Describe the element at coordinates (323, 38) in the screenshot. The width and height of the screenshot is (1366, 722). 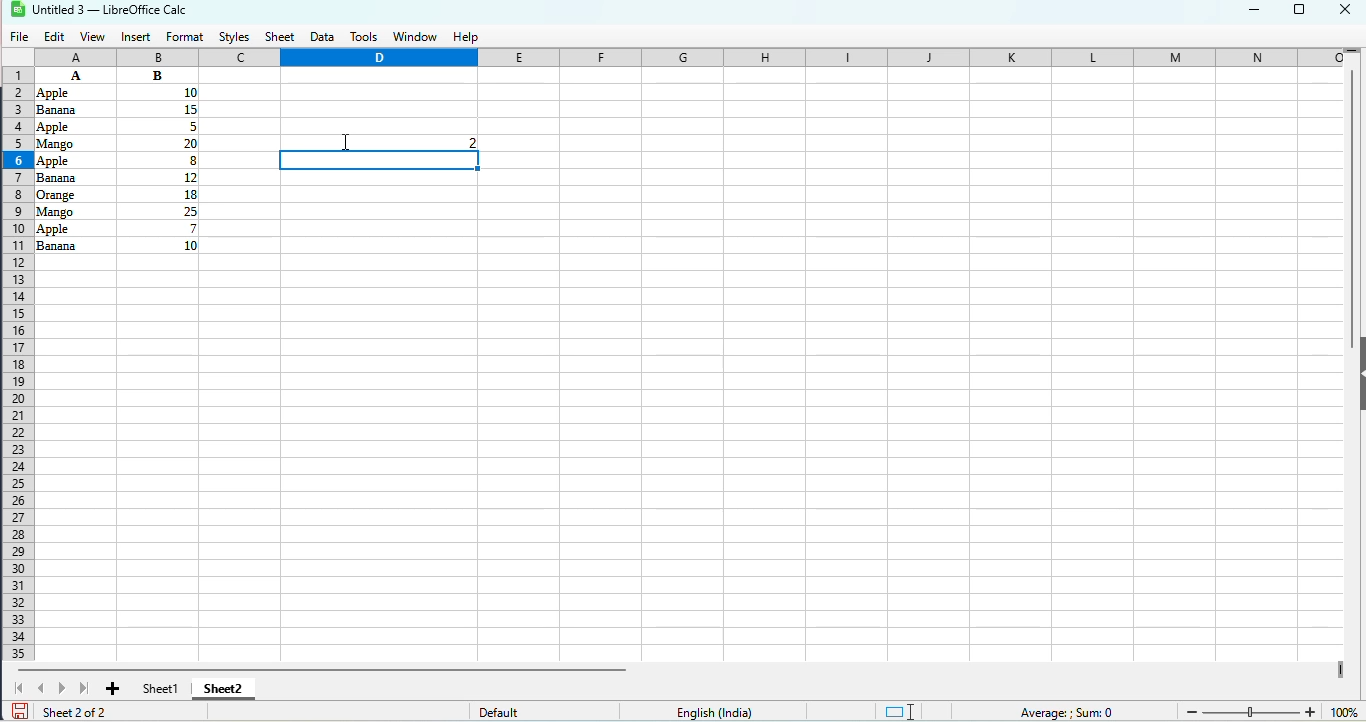
I see `data` at that location.